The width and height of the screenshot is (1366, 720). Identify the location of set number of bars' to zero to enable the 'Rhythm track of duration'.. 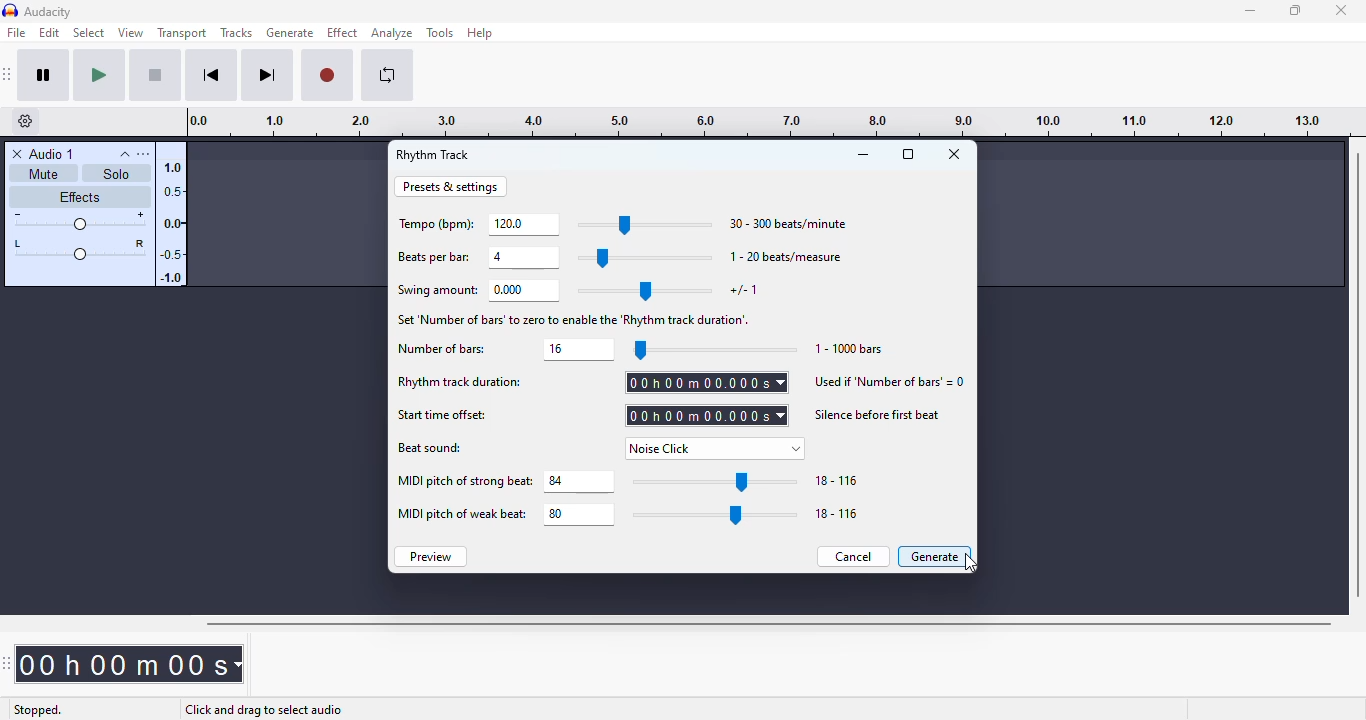
(575, 319).